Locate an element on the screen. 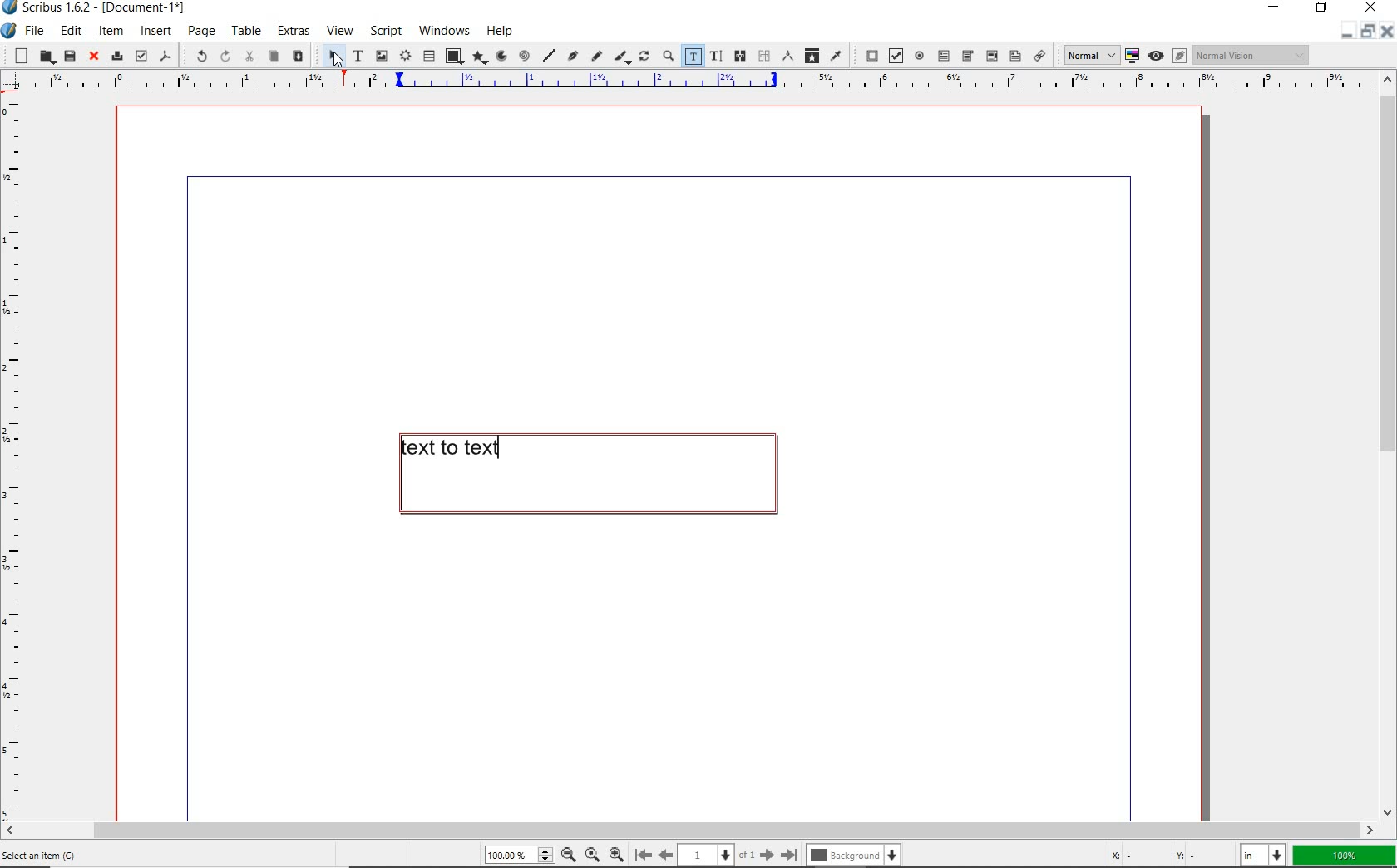 This screenshot has height=868, width=1397. cut is located at coordinates (249, 57).